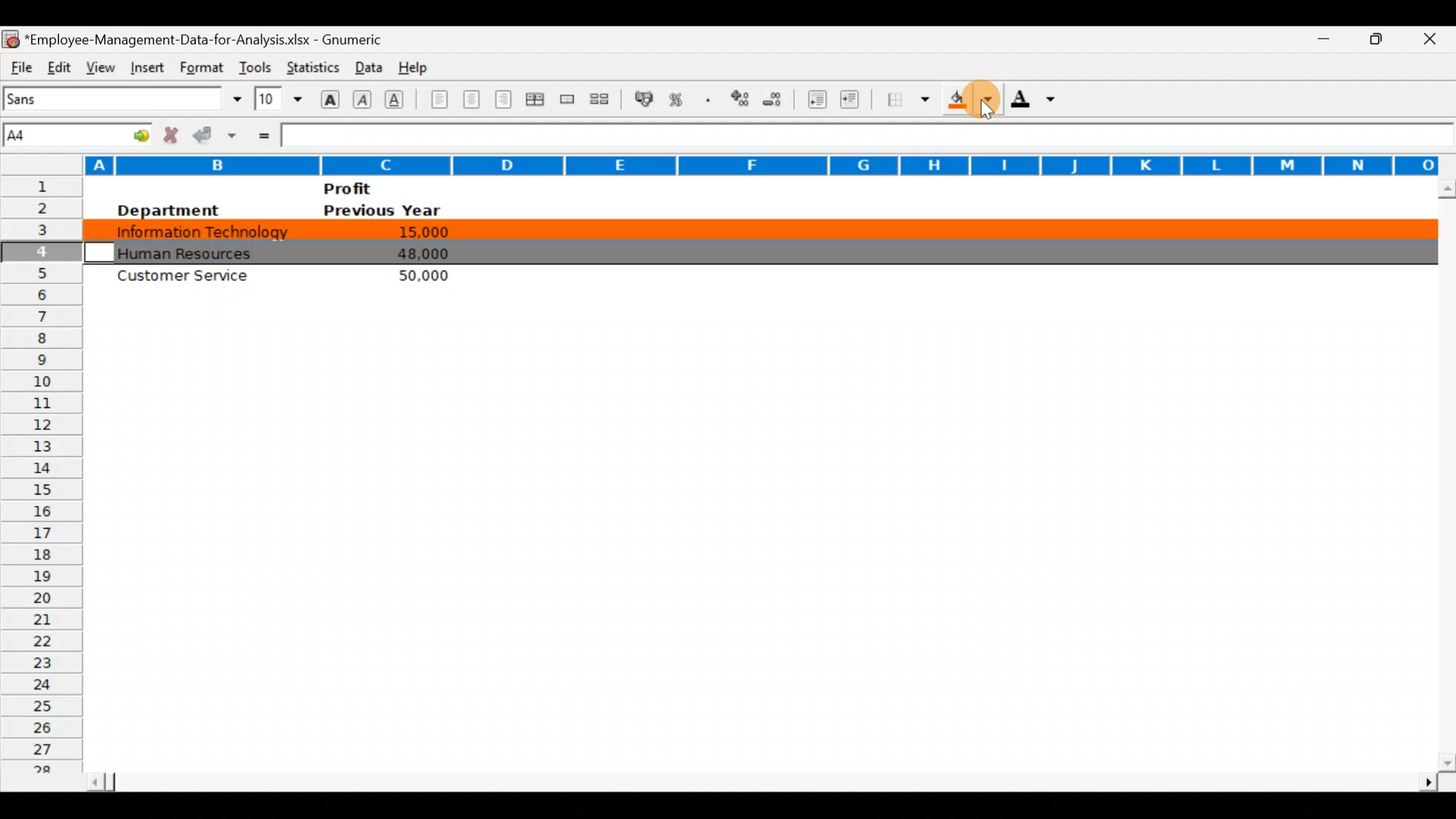 This screenshot has width=1456, height=819. What do you see at coordinates (255, 64) in the screenshot?
I see `Tools` at bounding box center [255, 64].